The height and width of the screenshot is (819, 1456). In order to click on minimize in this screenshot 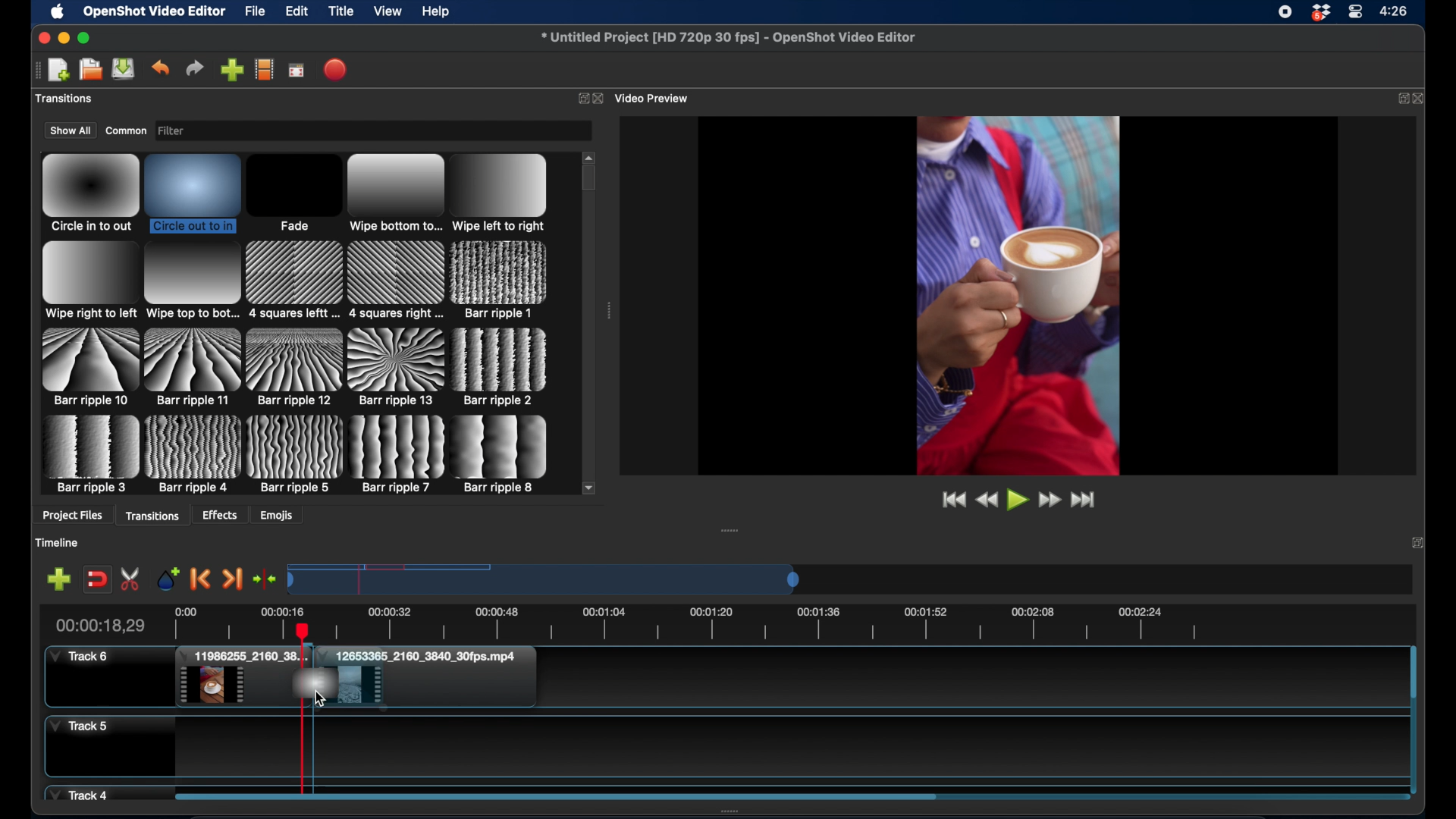, I will do `click(63, 38)`.